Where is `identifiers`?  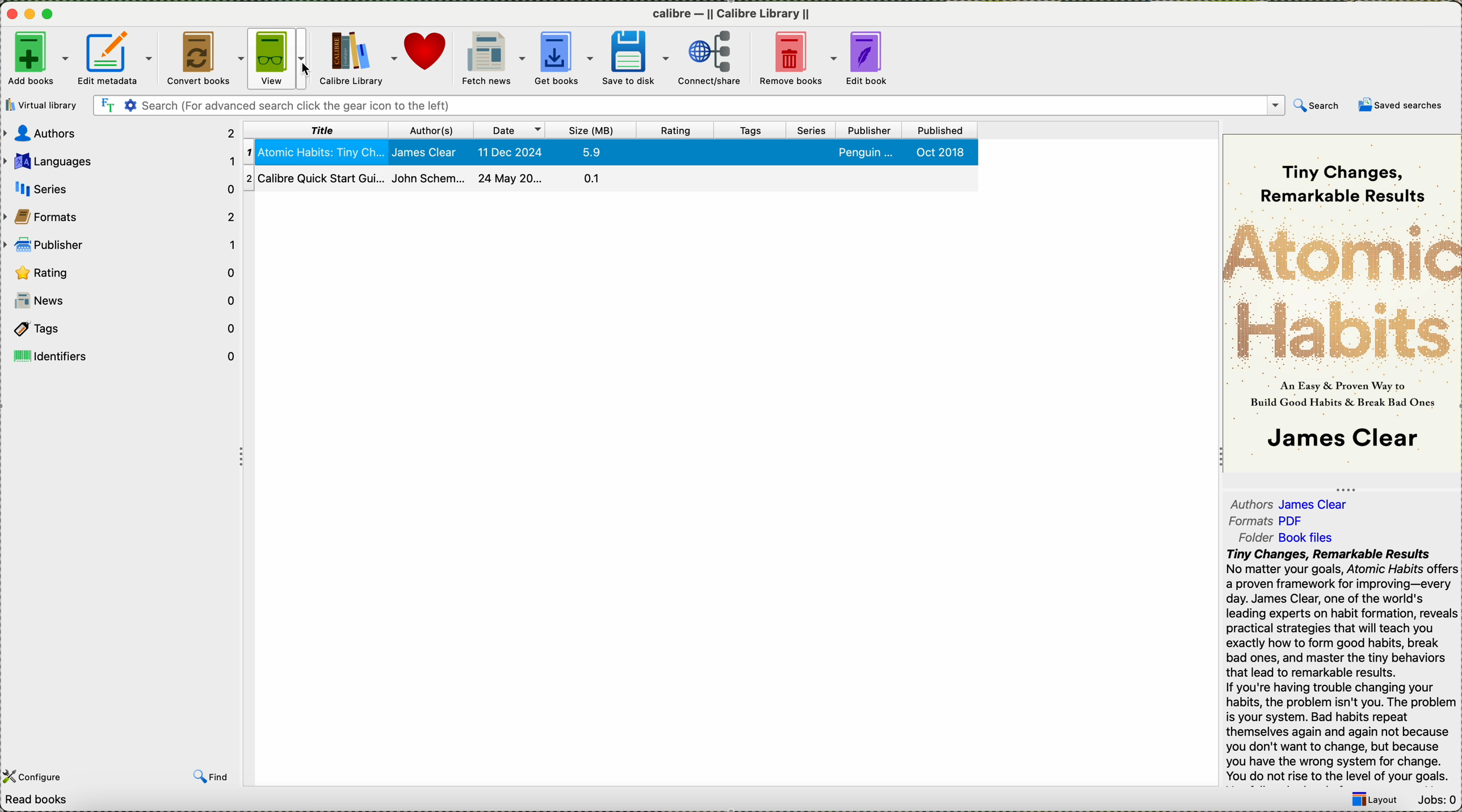
identifiers is located at coordinates (124, 357).